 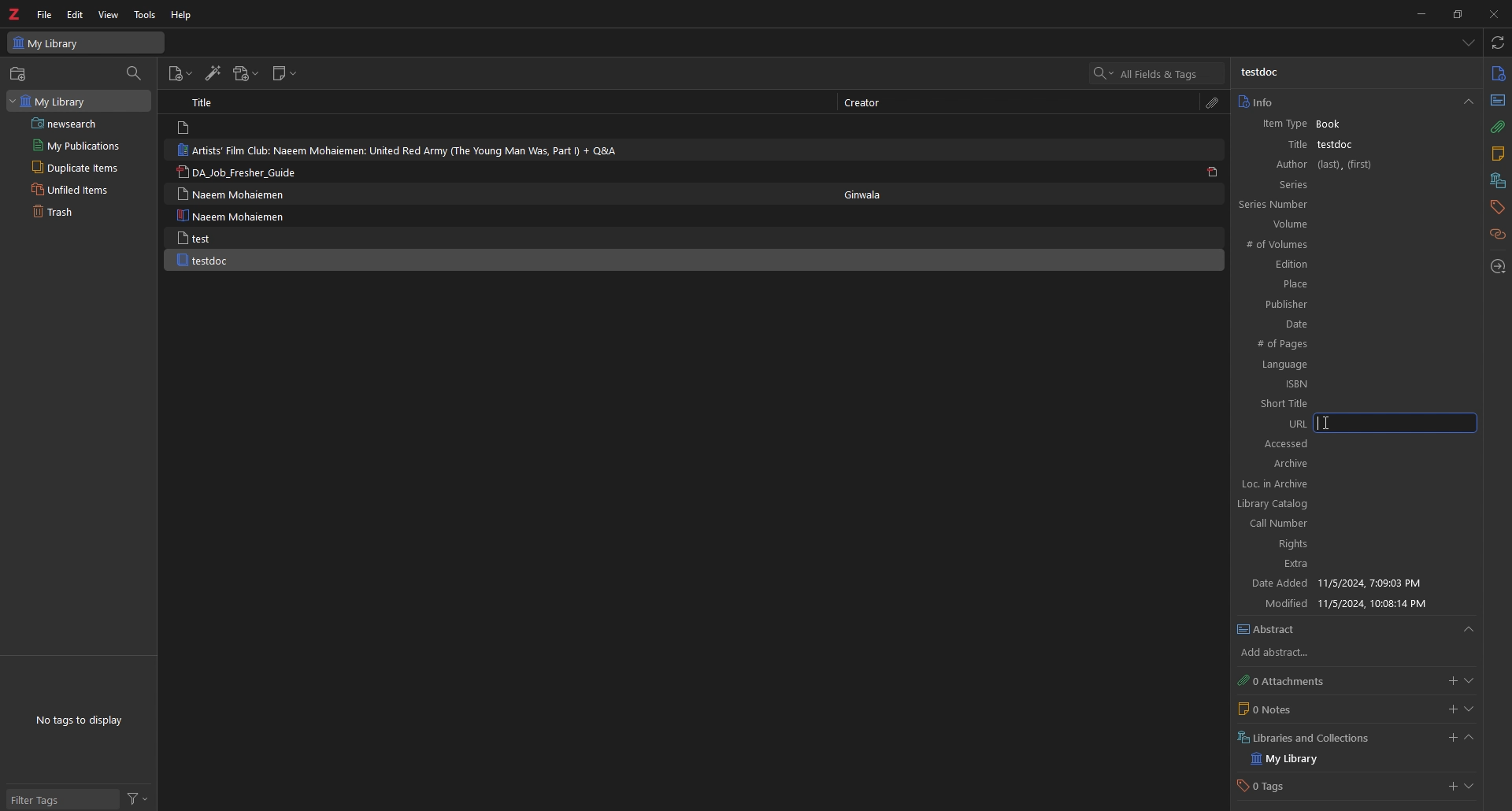 What do you see at coordinates (1356, 630) in the screenshot?
I see `abstract` at bounding box center [1356, 630].